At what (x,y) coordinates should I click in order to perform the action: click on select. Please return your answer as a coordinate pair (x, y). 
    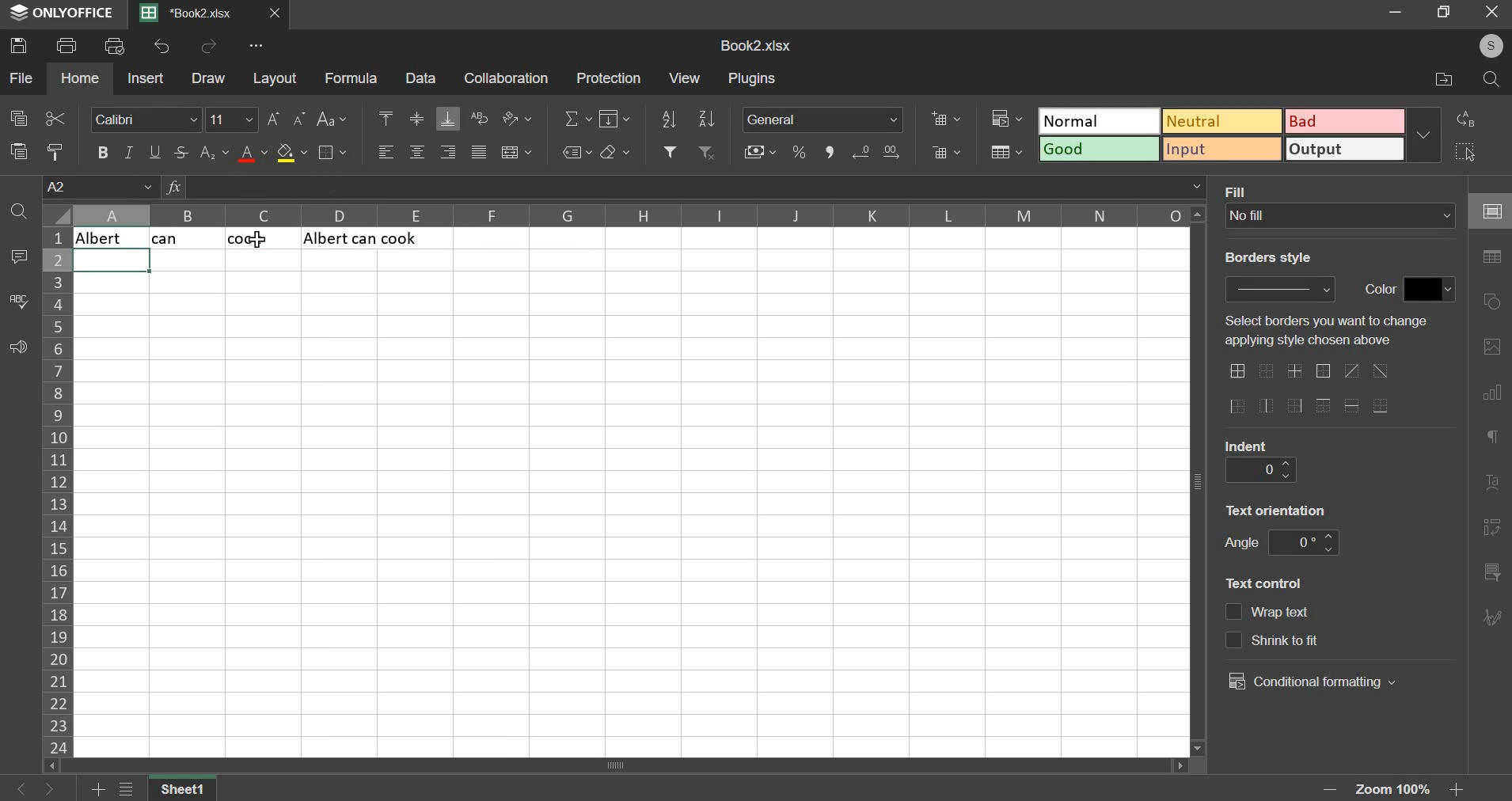
    Looking at the image, I should click on (1474, 152).